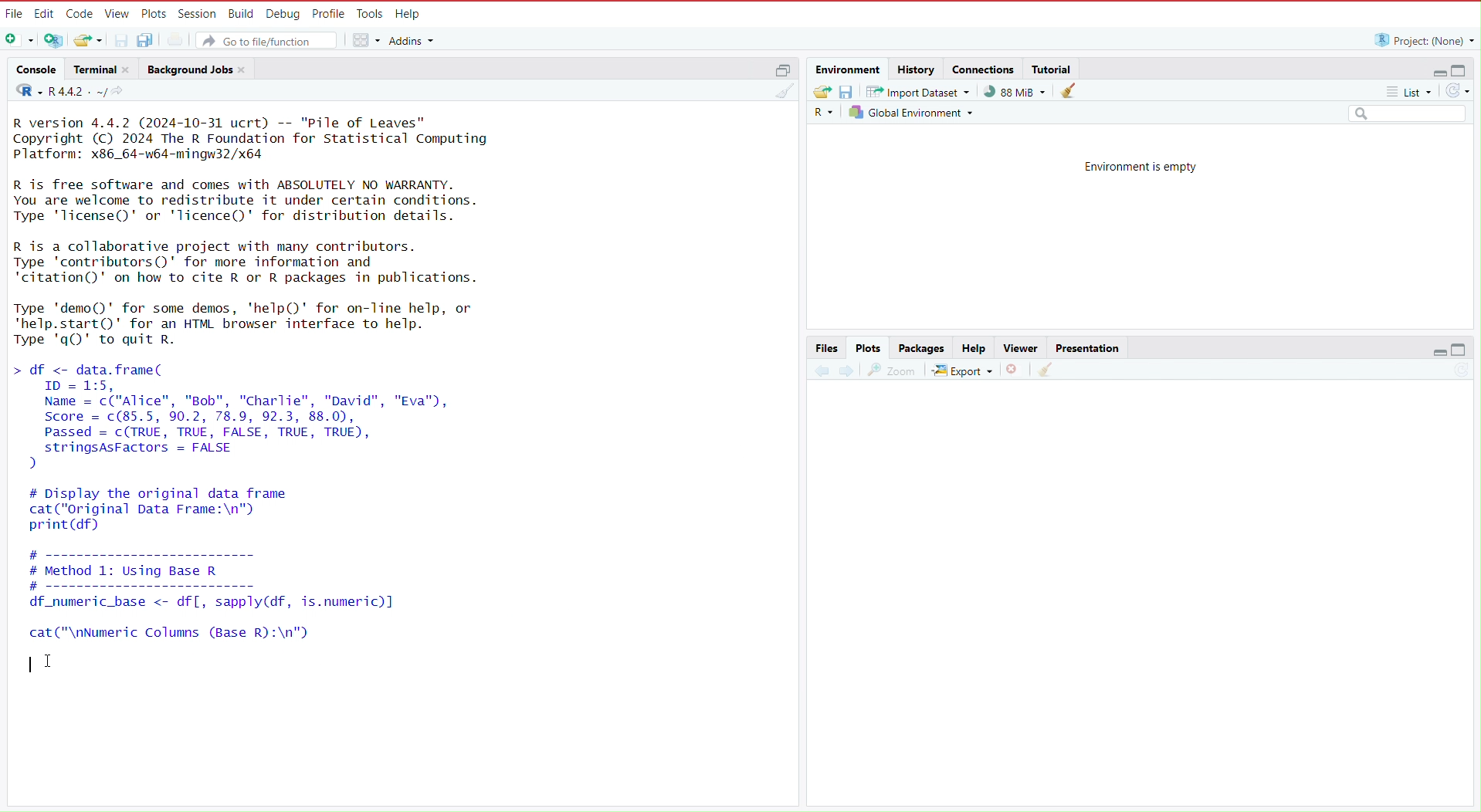  What do you see at coordinates (54, 39) in the screenshot?
I see `create a project` at bounding box center [54, 39].